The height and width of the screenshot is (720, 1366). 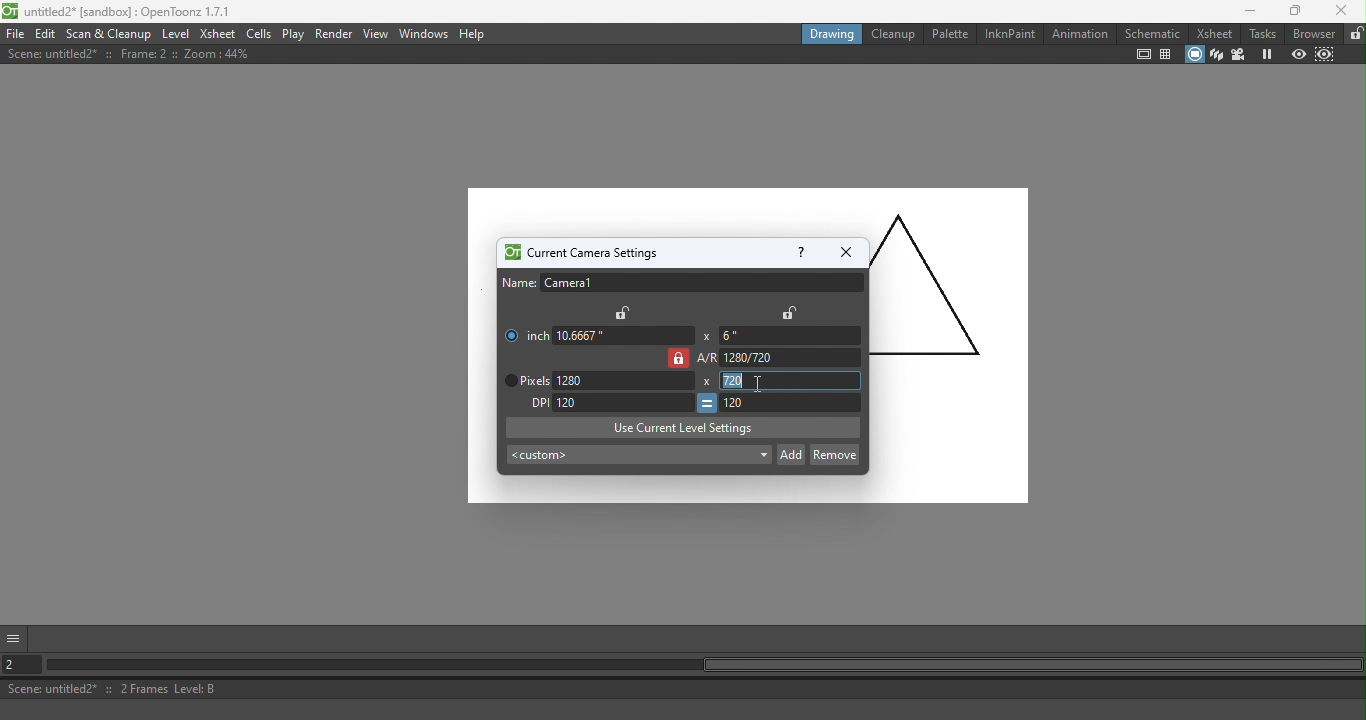 What do you see at coordinates (664, 489) in the screenshot?
I see `canvas` at bounding box center [664, 489].